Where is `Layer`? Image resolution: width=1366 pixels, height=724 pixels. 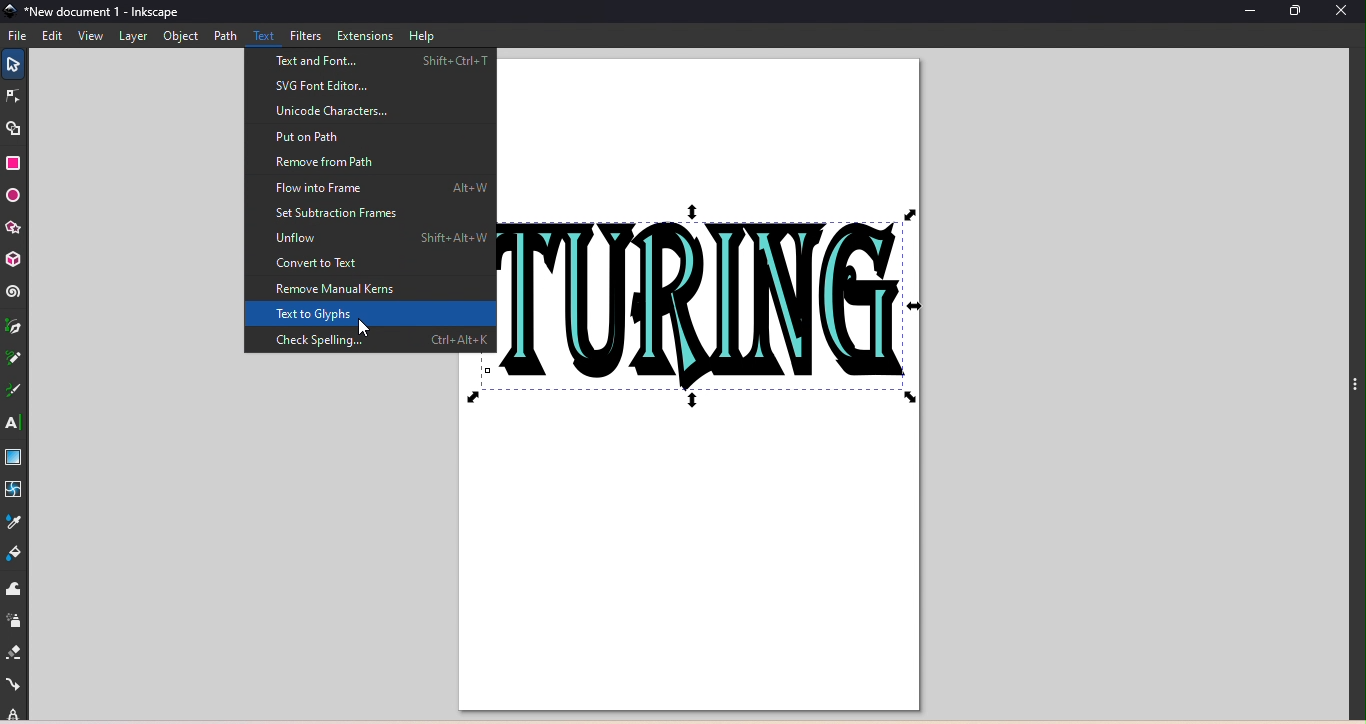
Layer is located at coordinates (135, 38).